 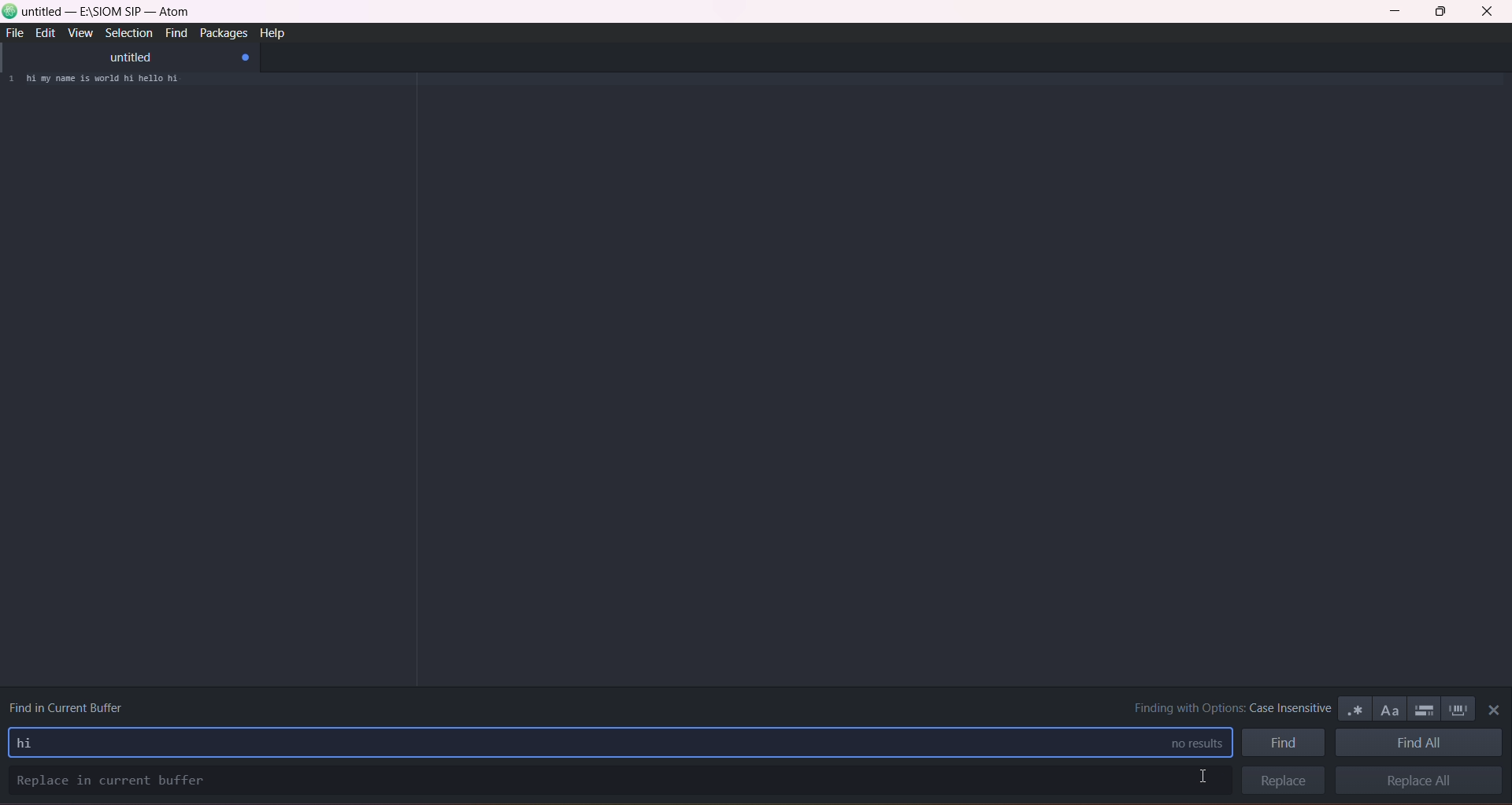 What do you see at coordinates (1187, 743) in the screenshot?
I see `no results` at bounding box center [1187, 743].